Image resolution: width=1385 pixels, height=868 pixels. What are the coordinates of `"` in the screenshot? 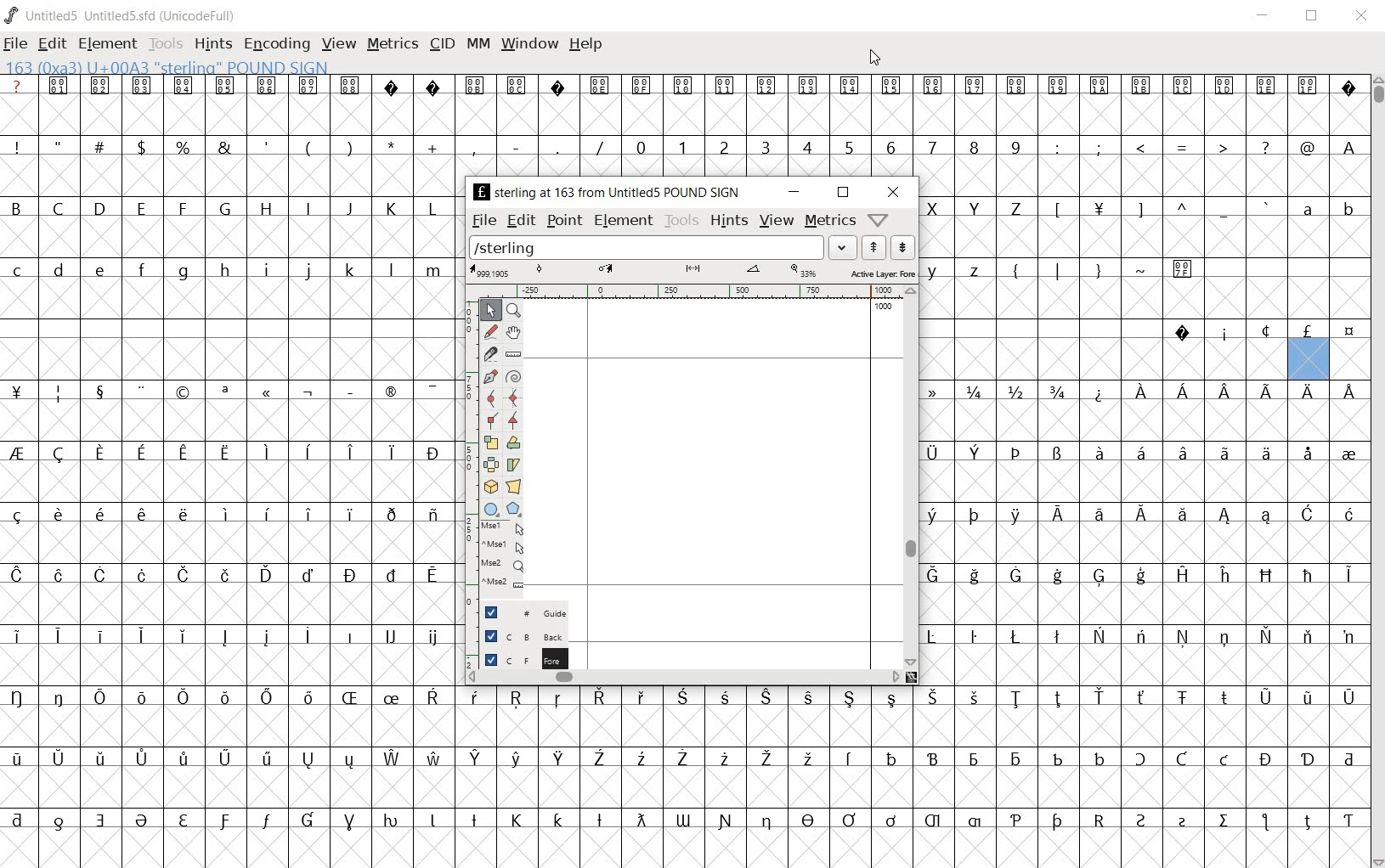 It's located at (61, 146).